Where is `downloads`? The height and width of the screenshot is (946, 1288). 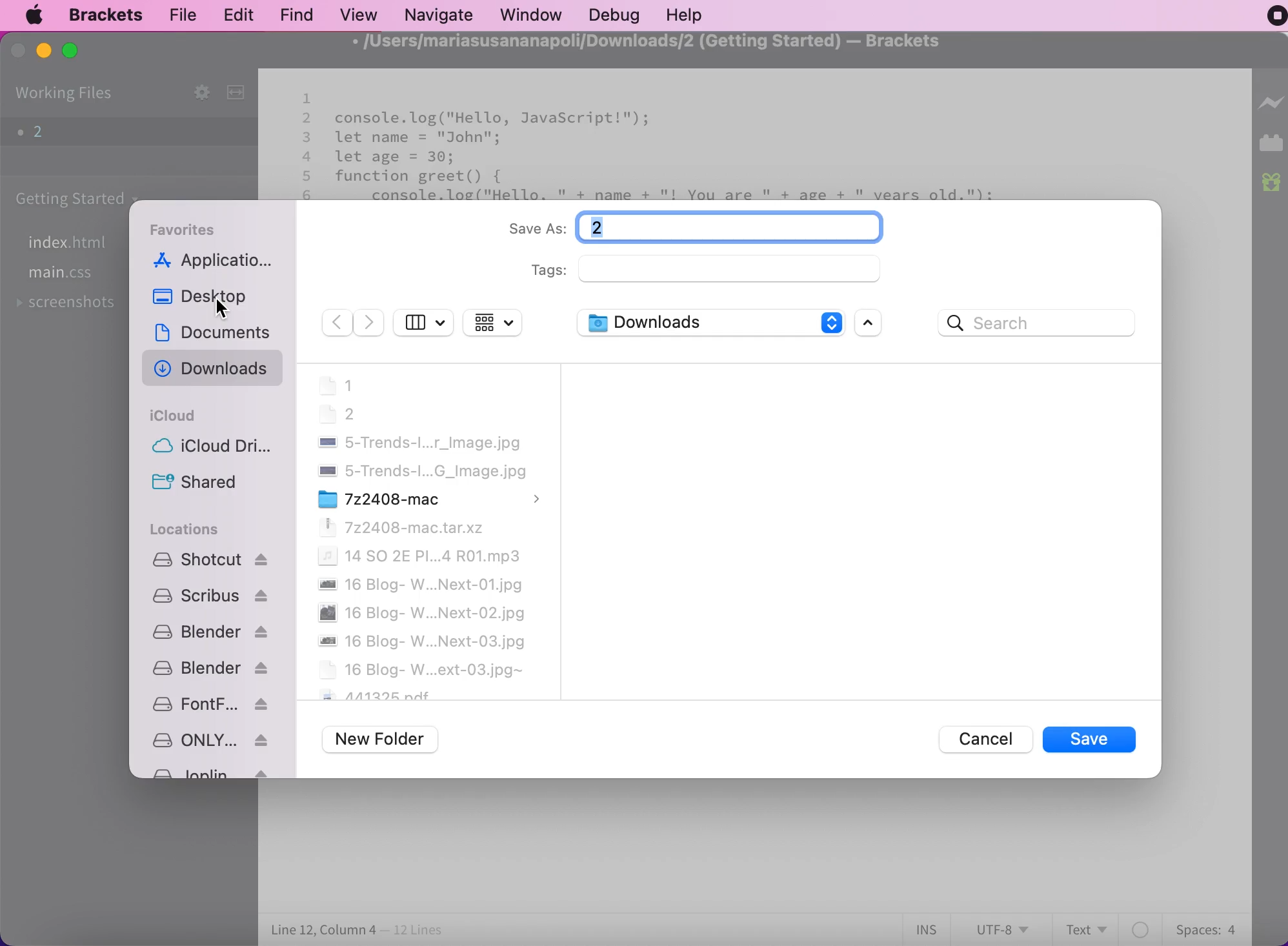
downloads is located at coordinates (212, 368).